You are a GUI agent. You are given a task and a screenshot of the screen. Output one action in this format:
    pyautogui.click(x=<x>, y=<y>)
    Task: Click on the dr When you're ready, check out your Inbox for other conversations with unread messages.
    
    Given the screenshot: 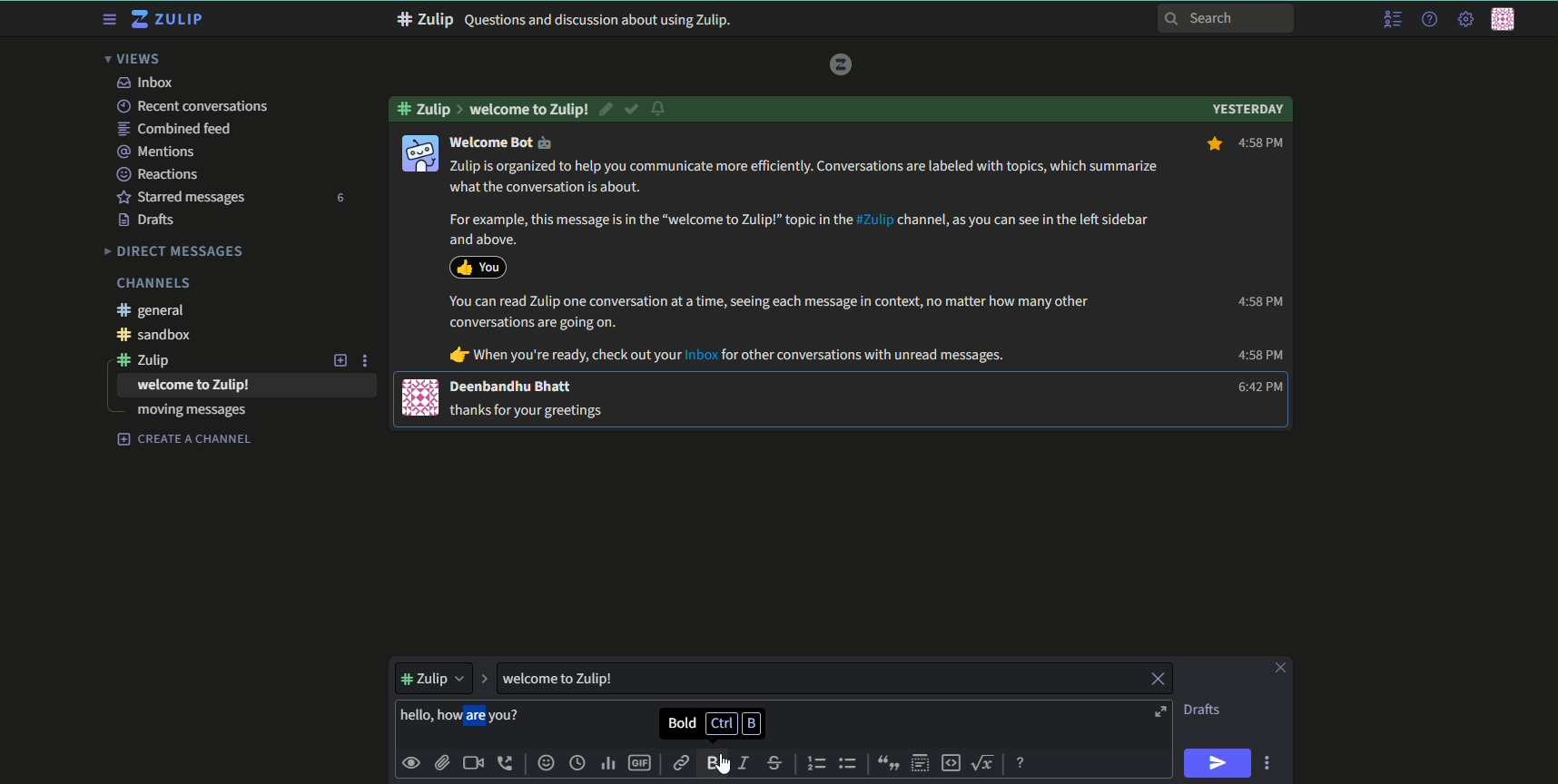 What is the action you would take?
    pyautogui.click(x=725, y=356)
    